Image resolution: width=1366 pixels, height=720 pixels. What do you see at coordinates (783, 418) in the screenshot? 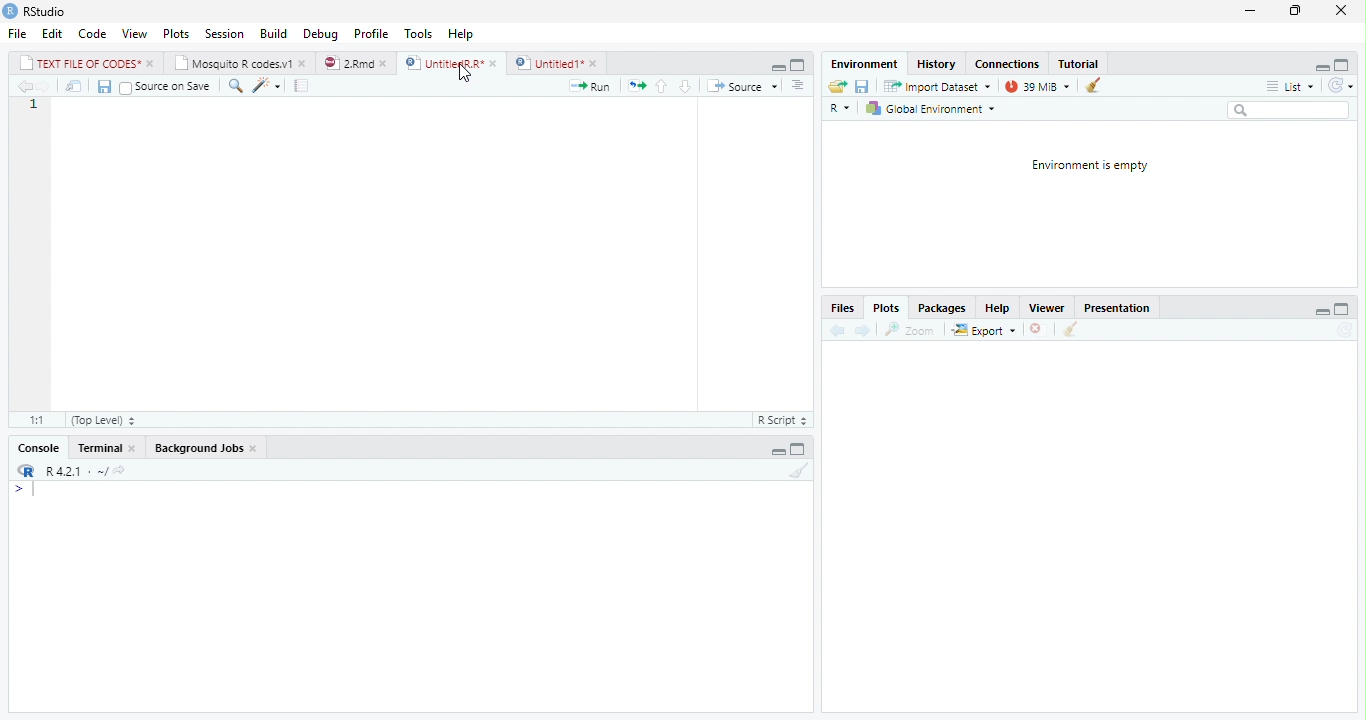
I see `R Script` at bounding box center [783, 418].